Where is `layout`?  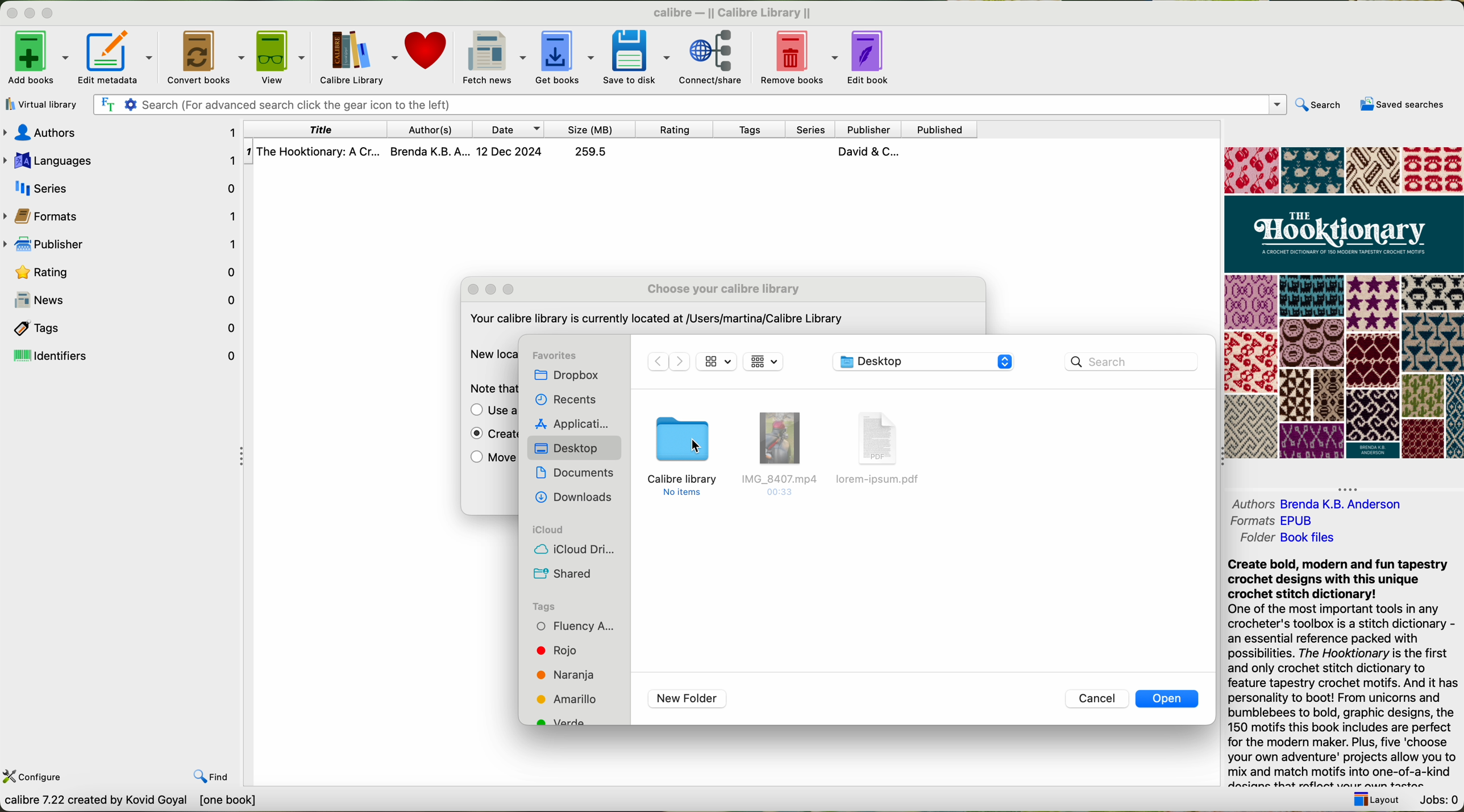 layout is located at coordinates (1379, 801).